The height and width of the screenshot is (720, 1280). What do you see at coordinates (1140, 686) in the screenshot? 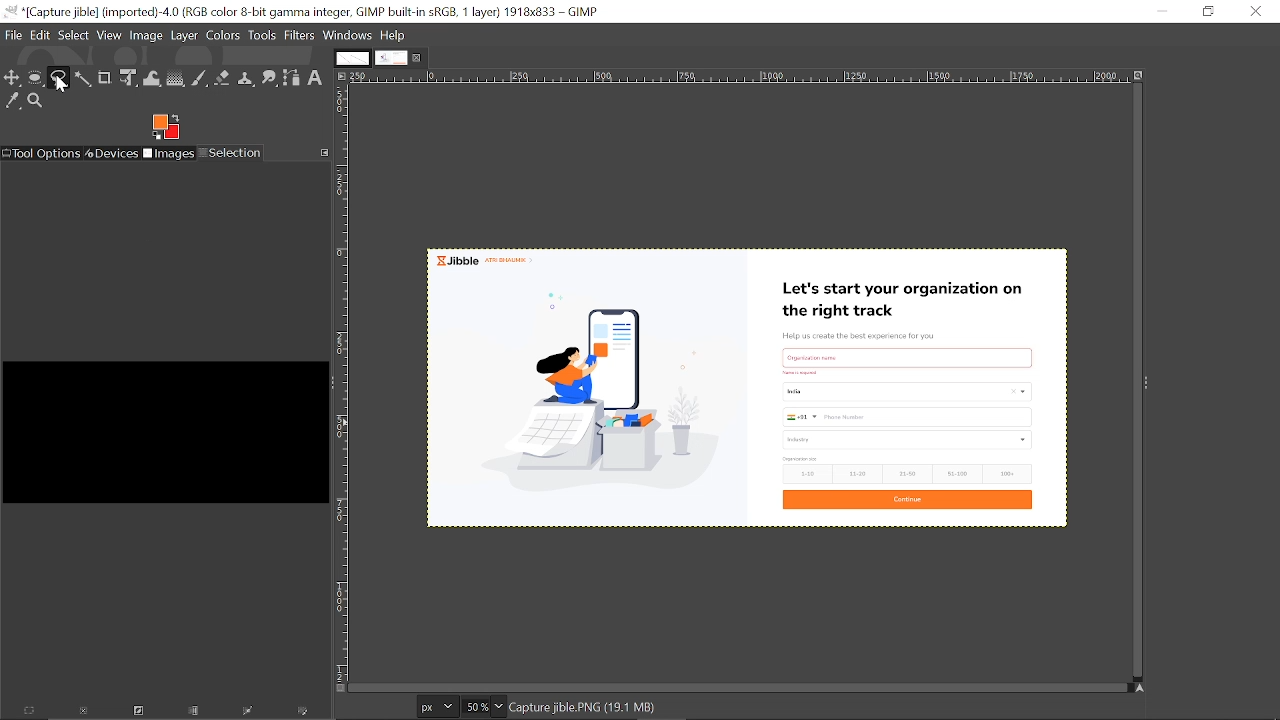
I see `Navigate this display` at bounding box center [1140, 686].